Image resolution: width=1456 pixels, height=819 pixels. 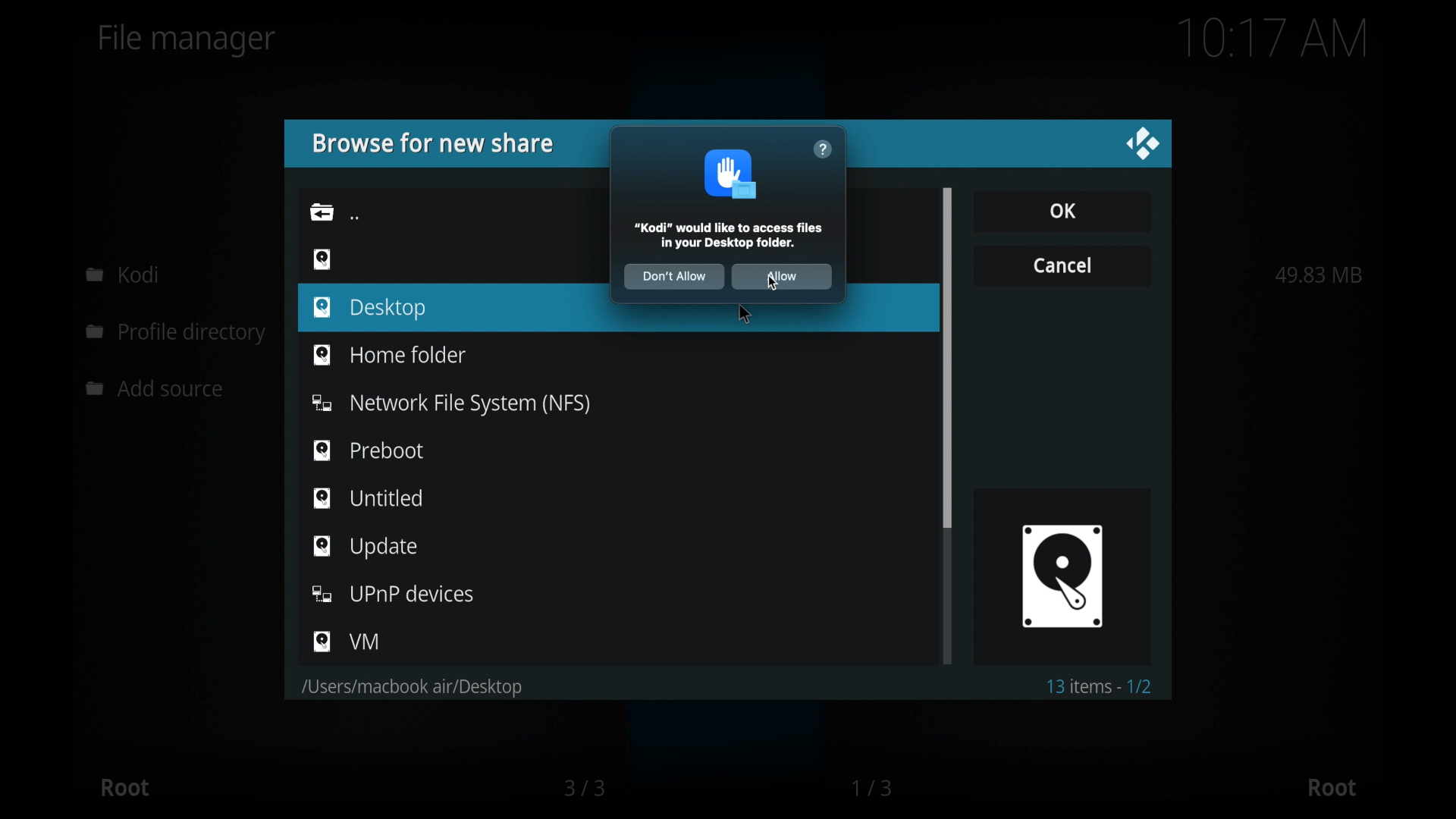 I want to click on root, so click(x=124, y=787).